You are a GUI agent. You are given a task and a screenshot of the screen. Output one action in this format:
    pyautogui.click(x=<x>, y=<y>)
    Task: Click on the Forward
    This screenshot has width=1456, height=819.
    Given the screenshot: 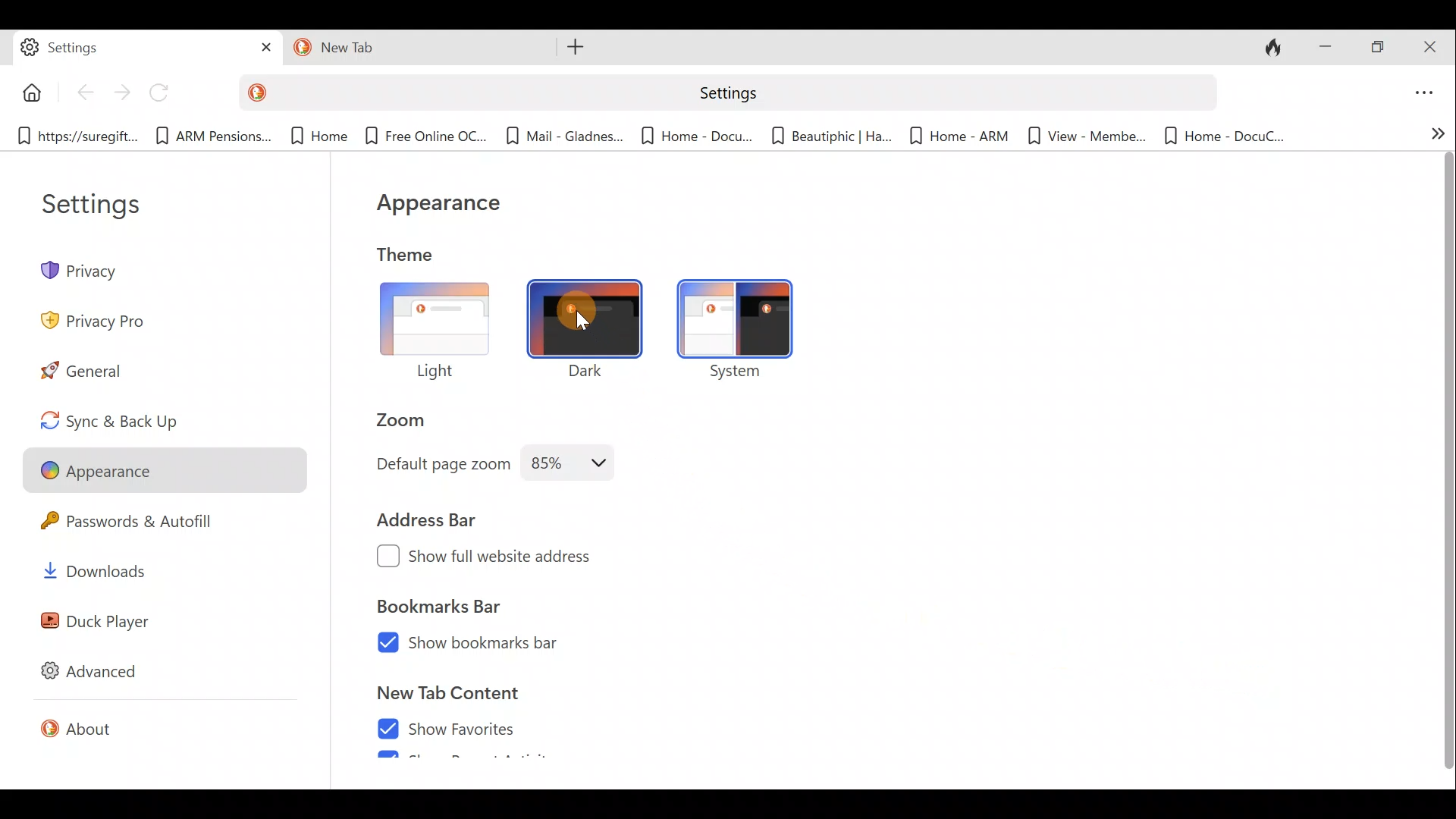 What is the action you would take?
    pyautogui.click(x=124, y=92)
    